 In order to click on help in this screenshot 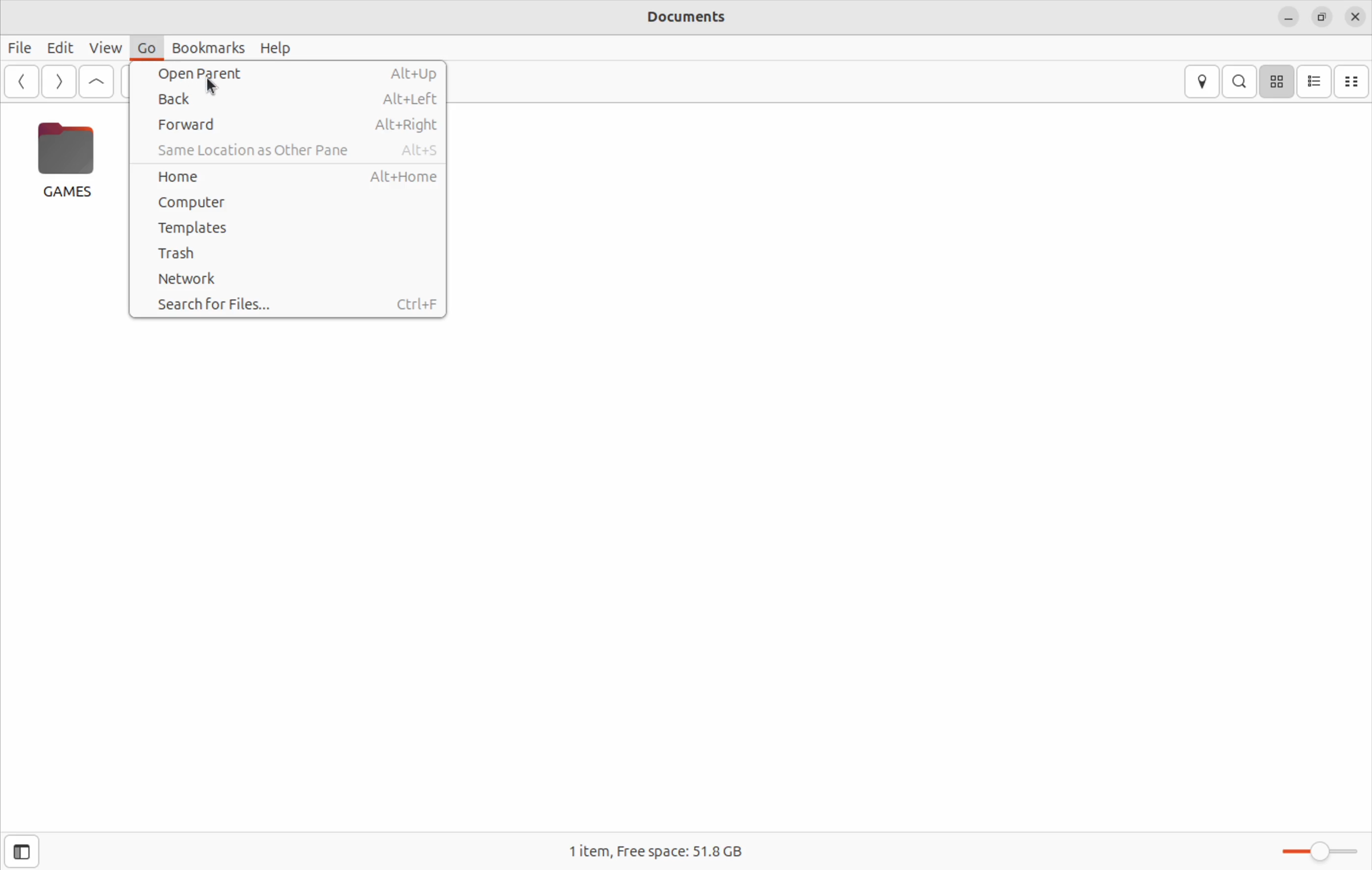, I will do `click(281, 48)`.